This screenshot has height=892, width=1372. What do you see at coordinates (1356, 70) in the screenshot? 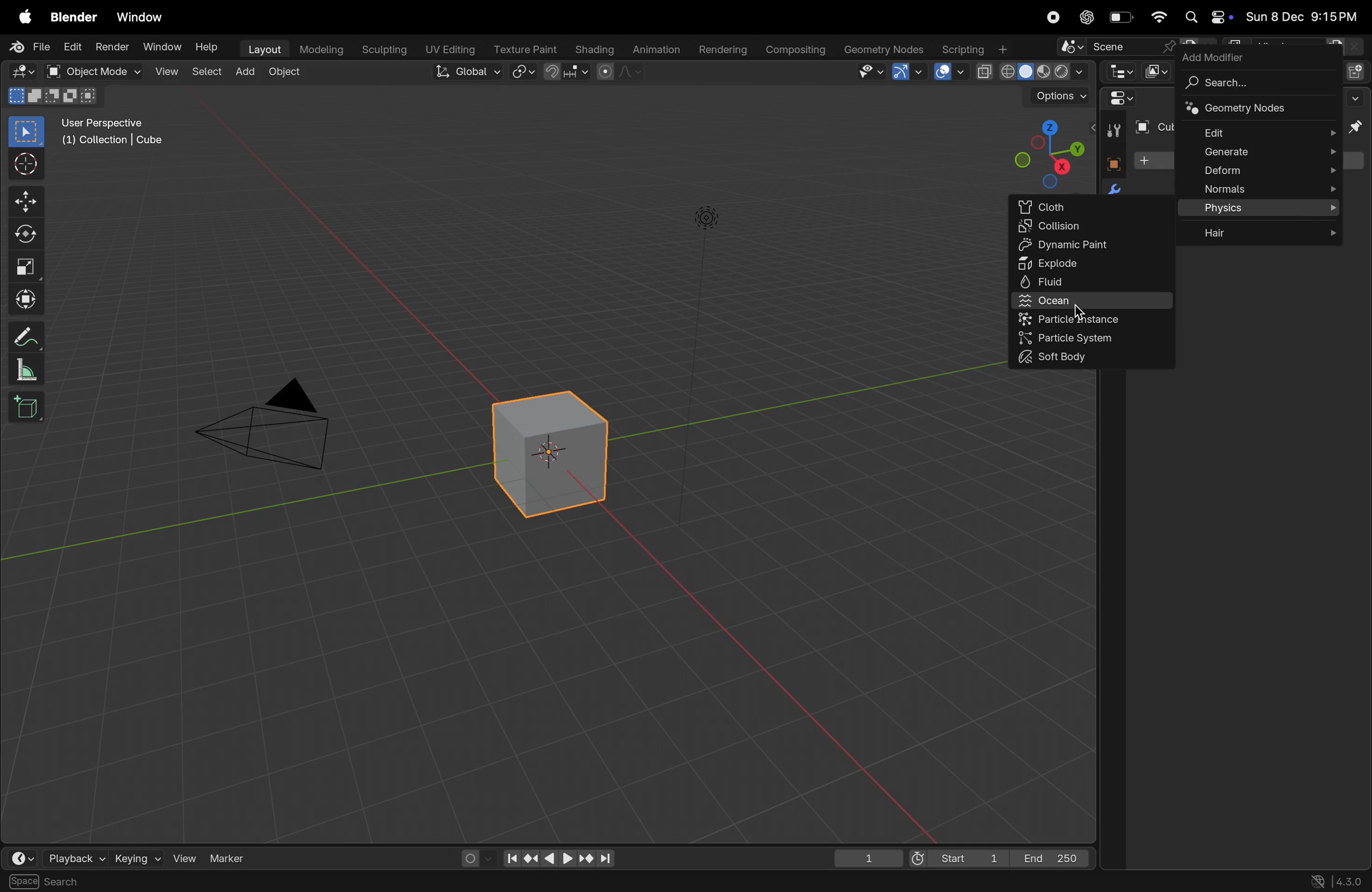
I see `new collection` at bounding box center [1356, 70].